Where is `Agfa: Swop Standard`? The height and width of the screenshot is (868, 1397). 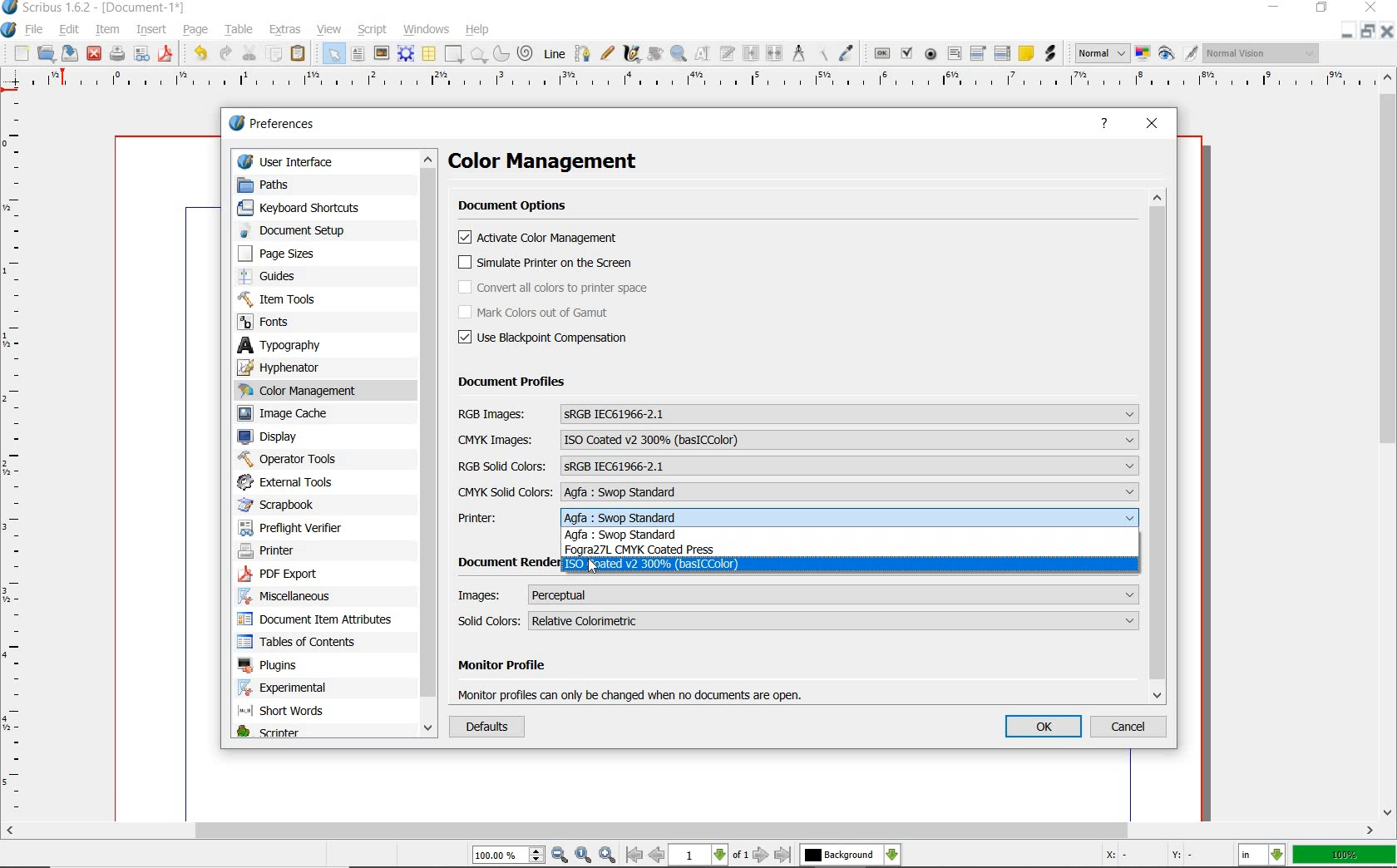
Agfa: Swop Standard is located at coordinates (644, 535).